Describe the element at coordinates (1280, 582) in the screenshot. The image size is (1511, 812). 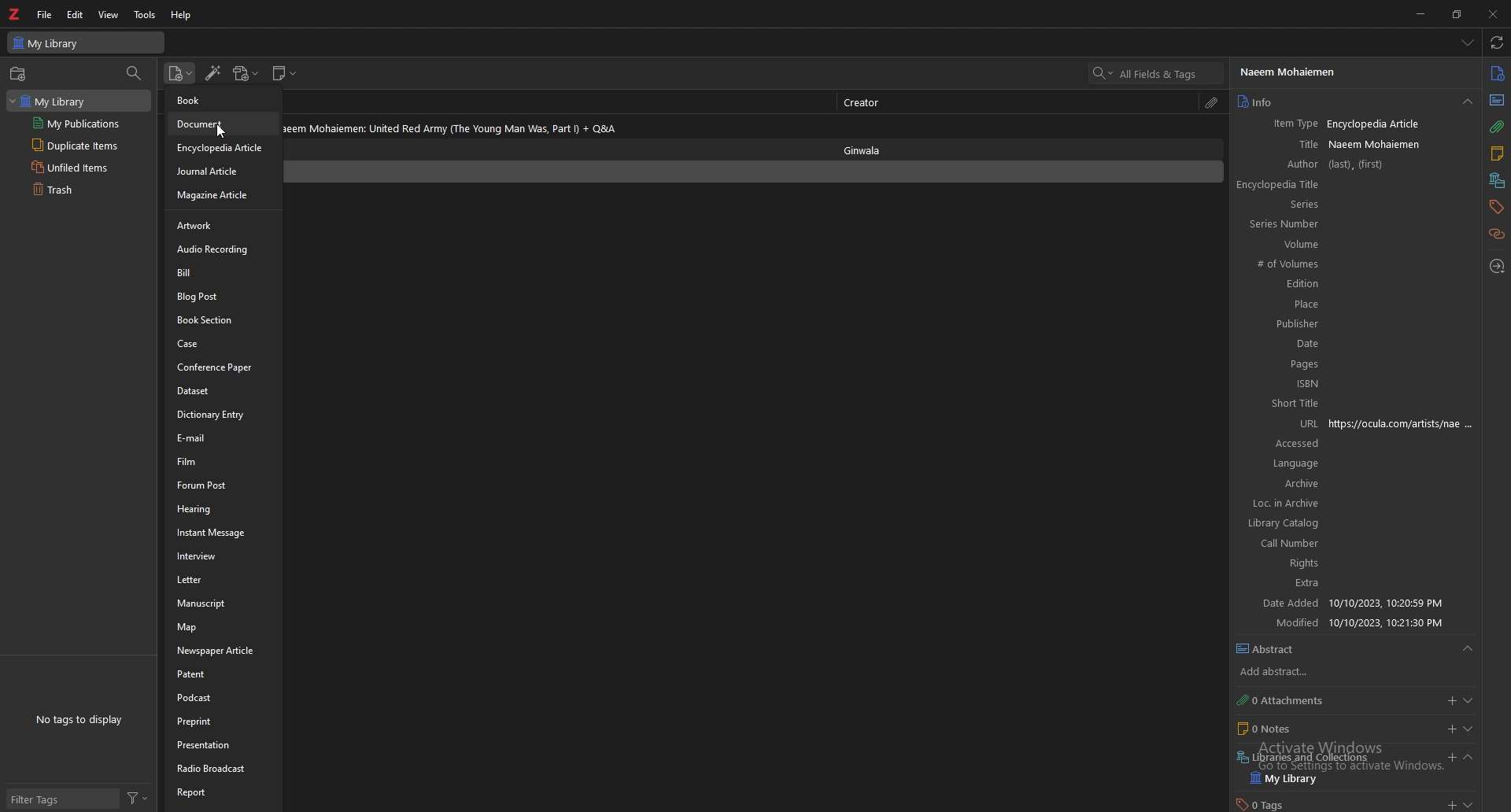
I see `extra` at that location.